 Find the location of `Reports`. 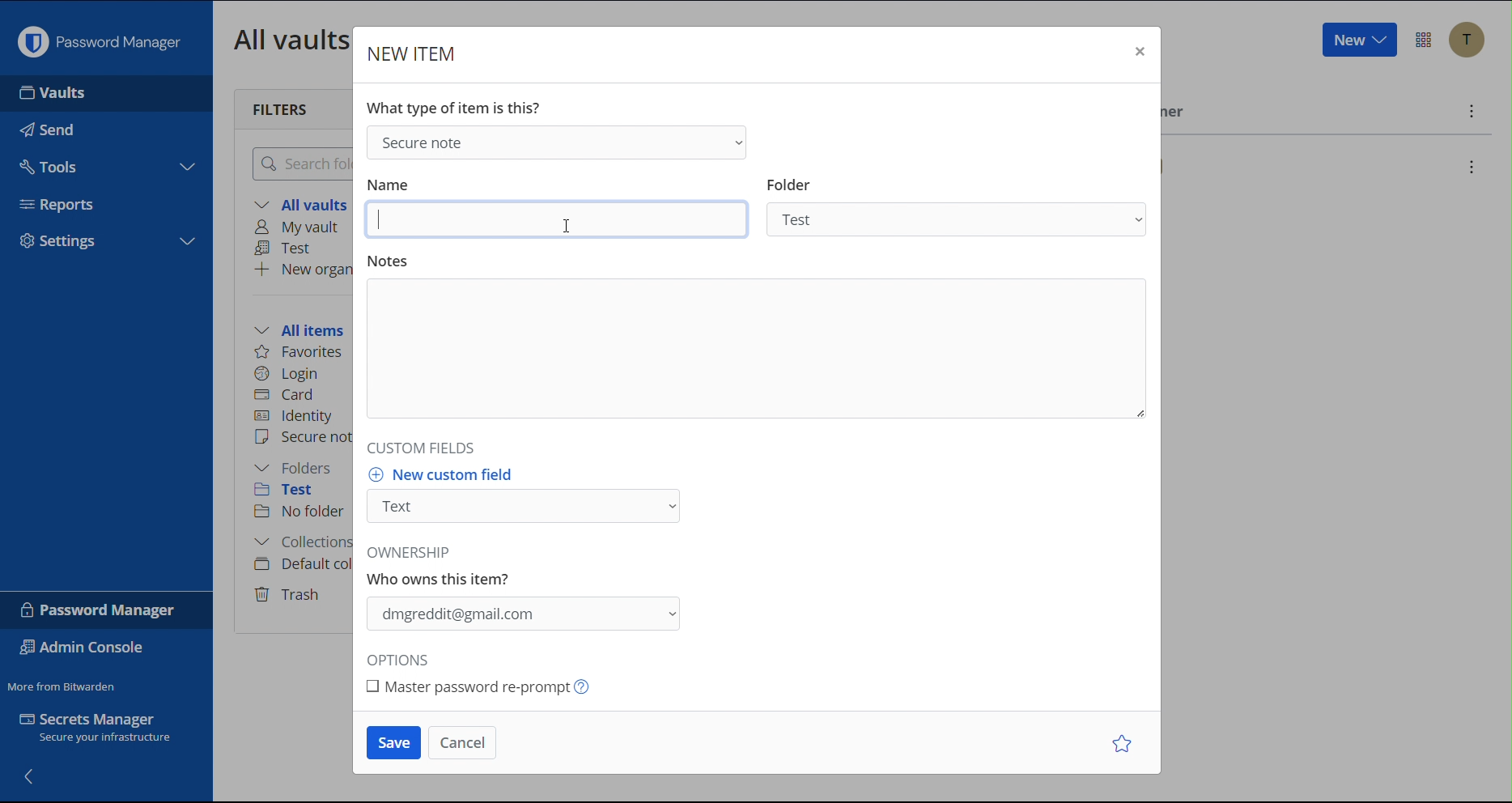

Reports is located at coordinates (63, 202).